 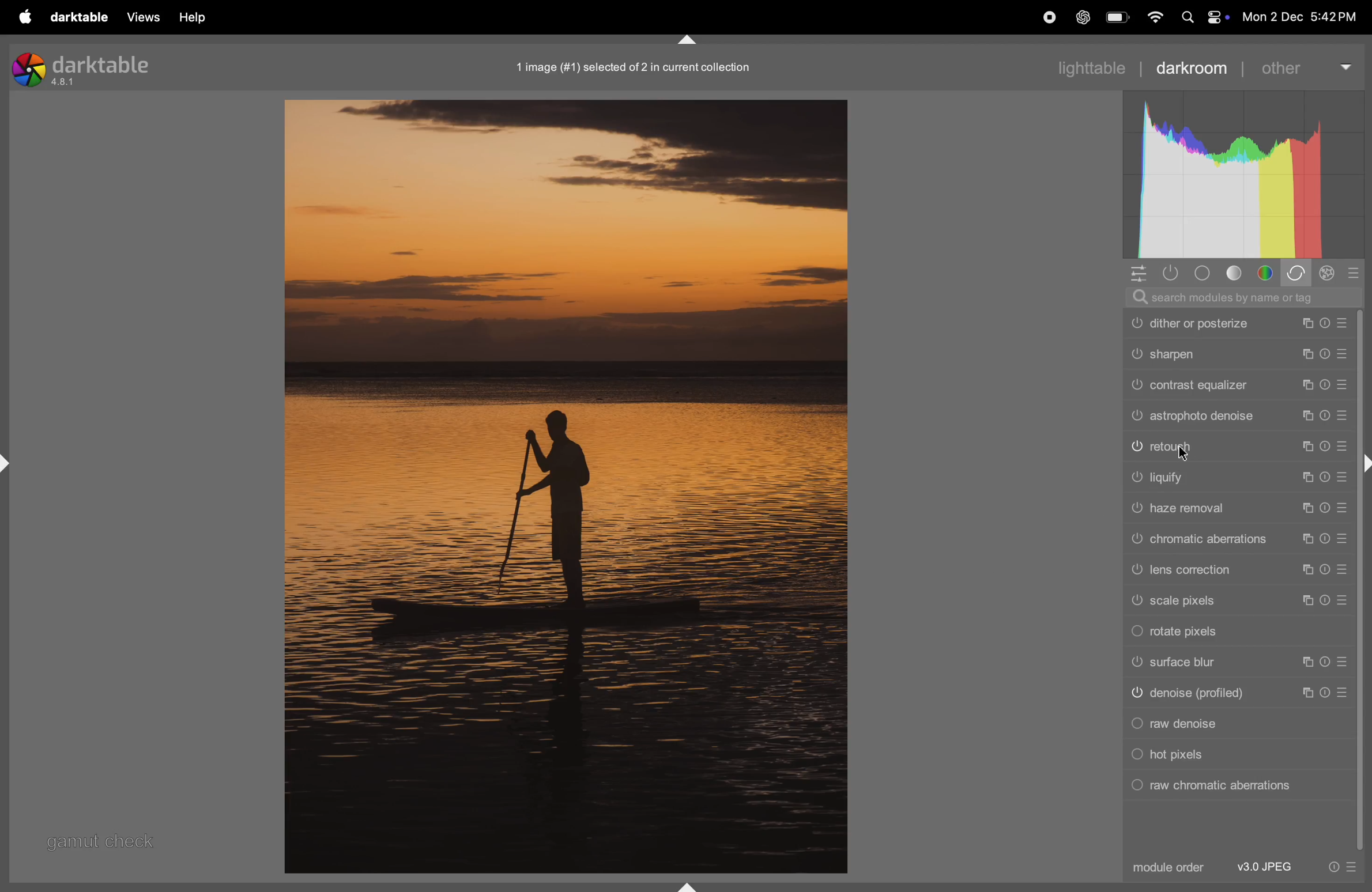 I want to click on Cursor, so click(x=1182, y=455).